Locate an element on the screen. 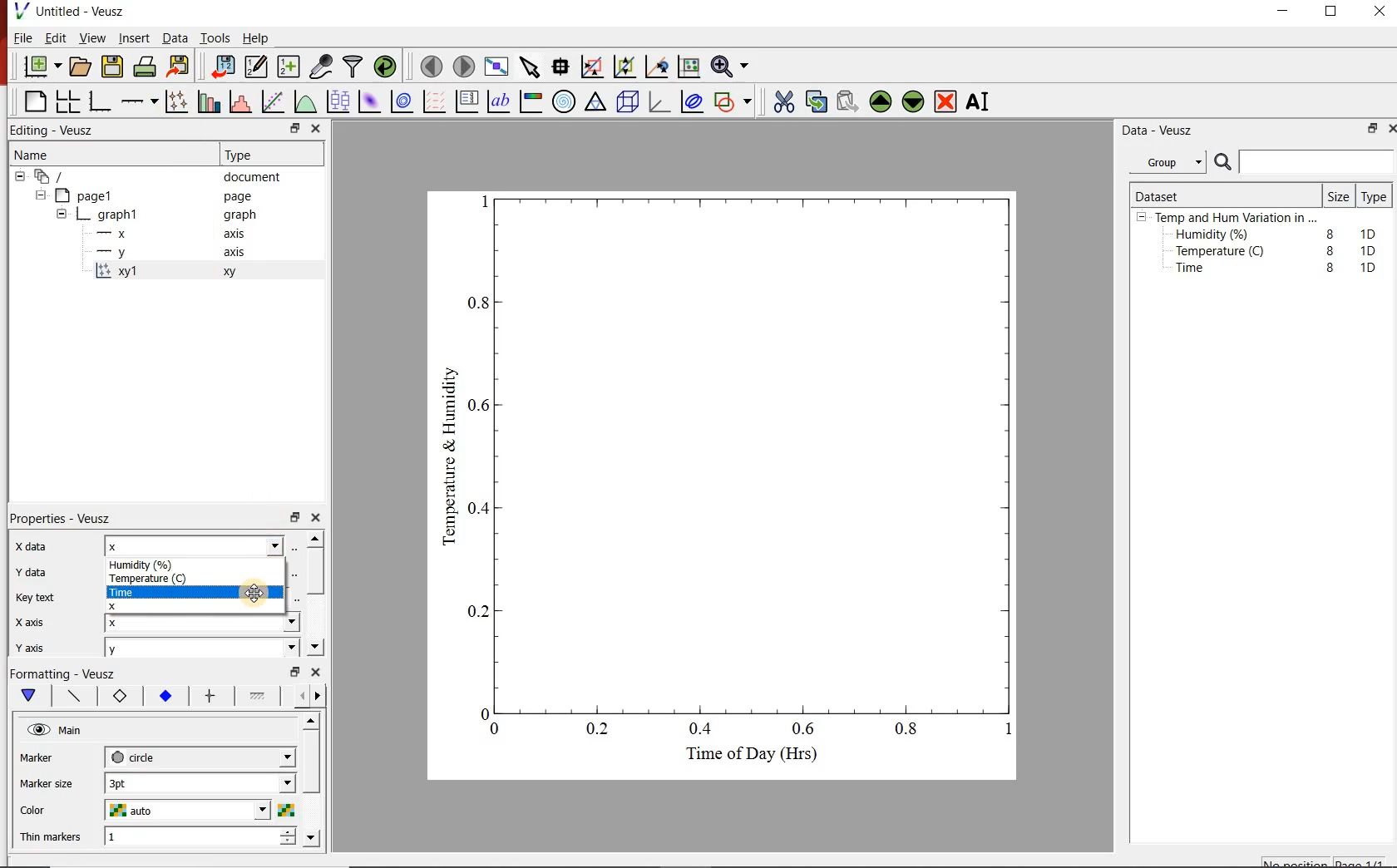 The image size is (1397, 868). Formatting - Veusz is located at coordinates (67, 675).